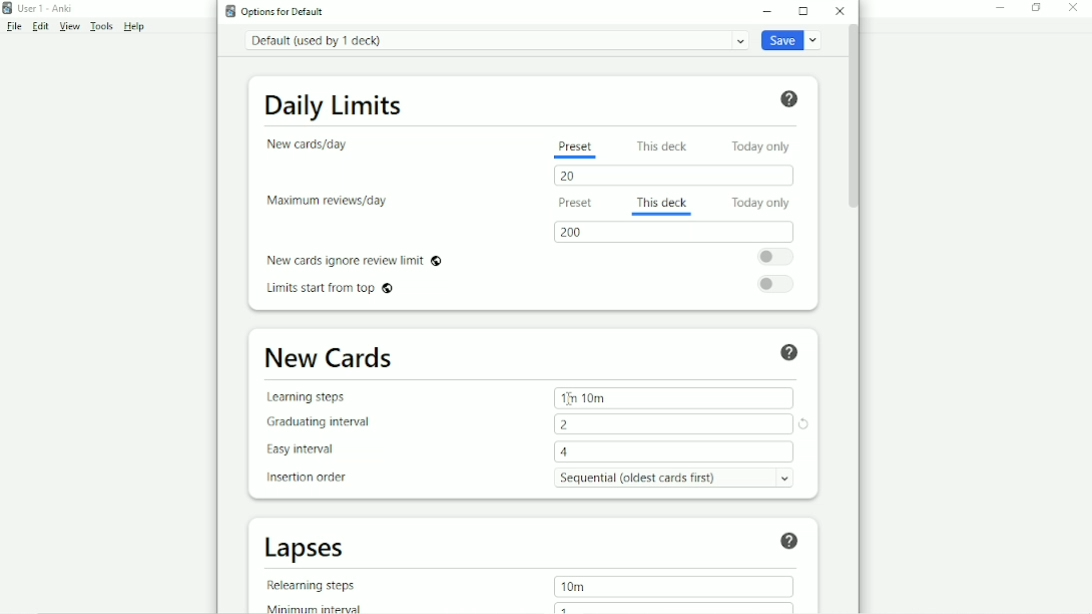  I want to click on 1m 10m, so click(584, 396).